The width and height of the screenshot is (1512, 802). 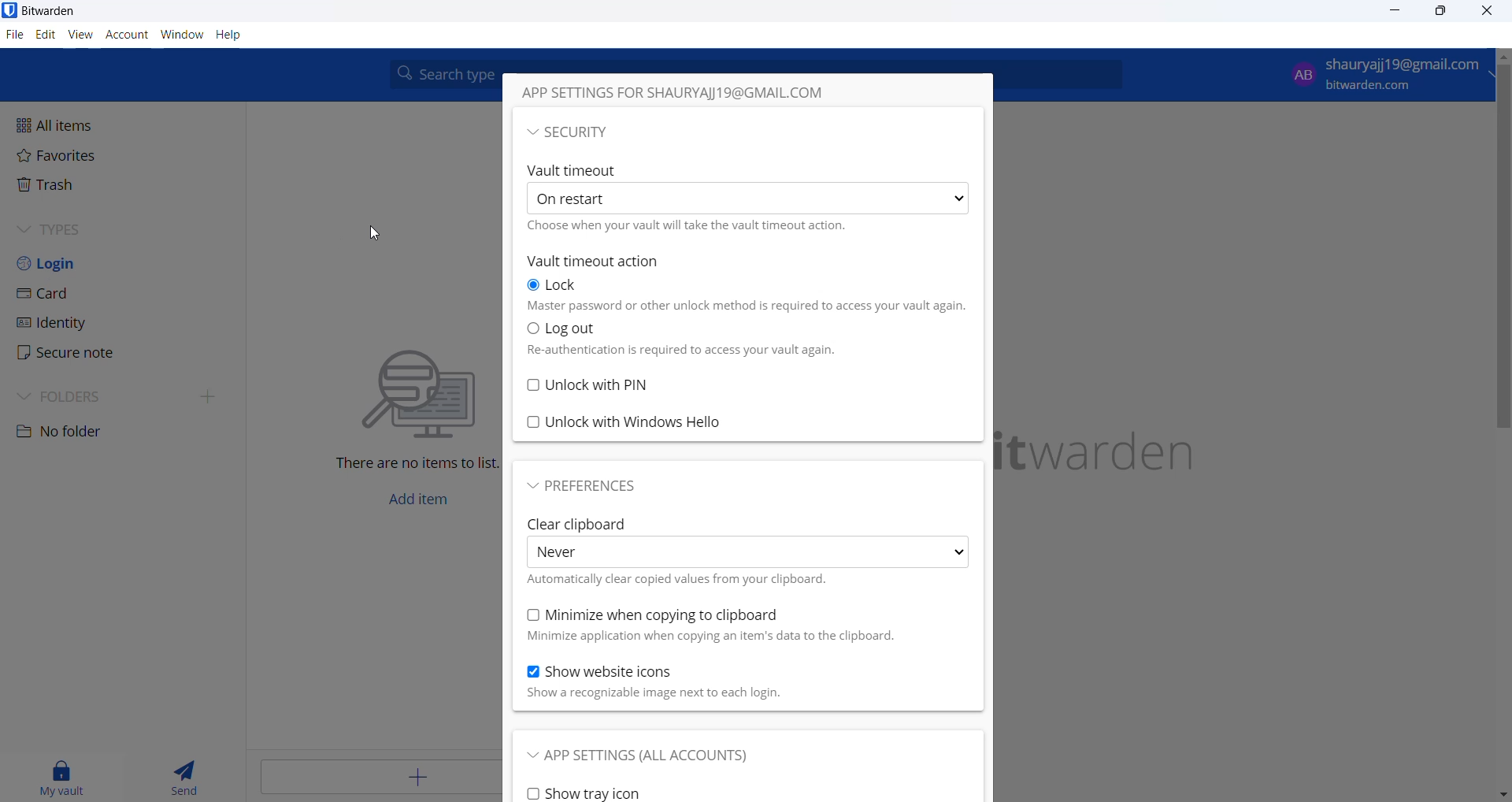 I want to click on show tray icon, so click(x=591, y=794).